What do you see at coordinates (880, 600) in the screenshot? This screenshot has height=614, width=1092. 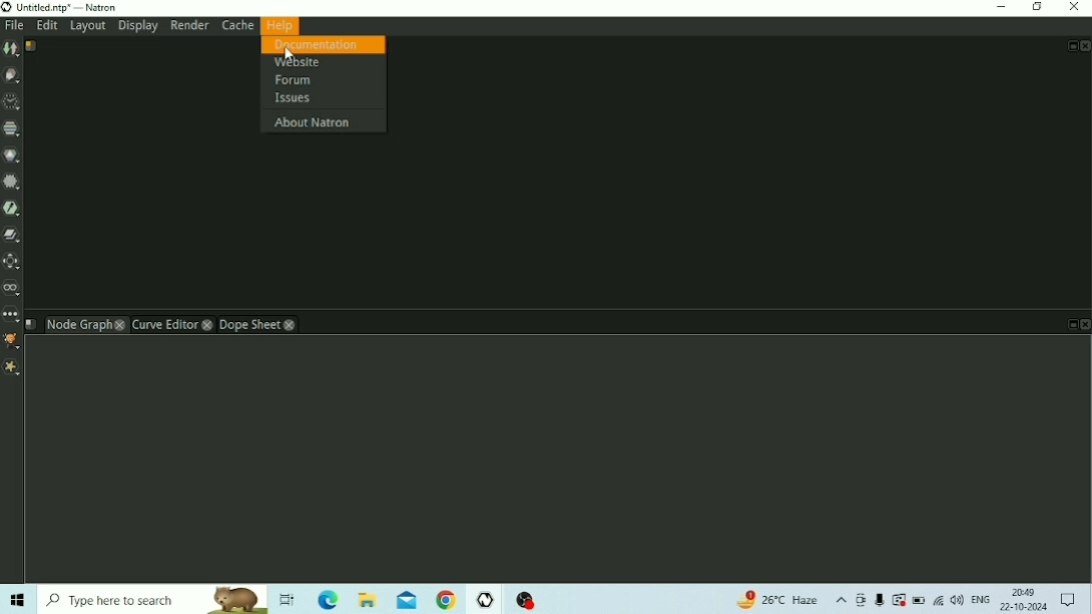 I see `Mic` at bounding box center [880, 600].